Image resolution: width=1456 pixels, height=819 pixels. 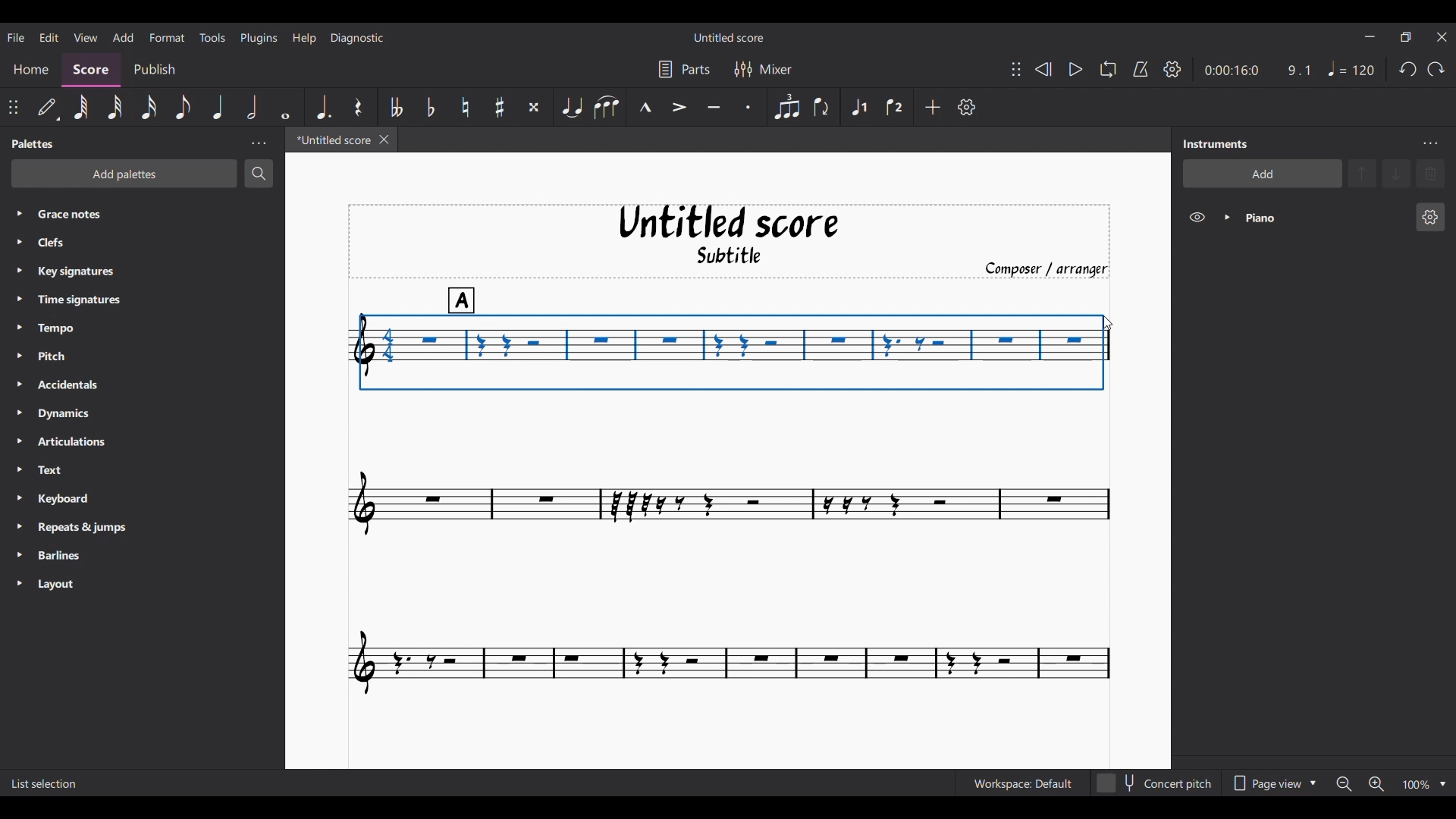 What do you see at coordinates (606, 107) in the screenshot?
I see `Slur` at bounding box center [606, 107].